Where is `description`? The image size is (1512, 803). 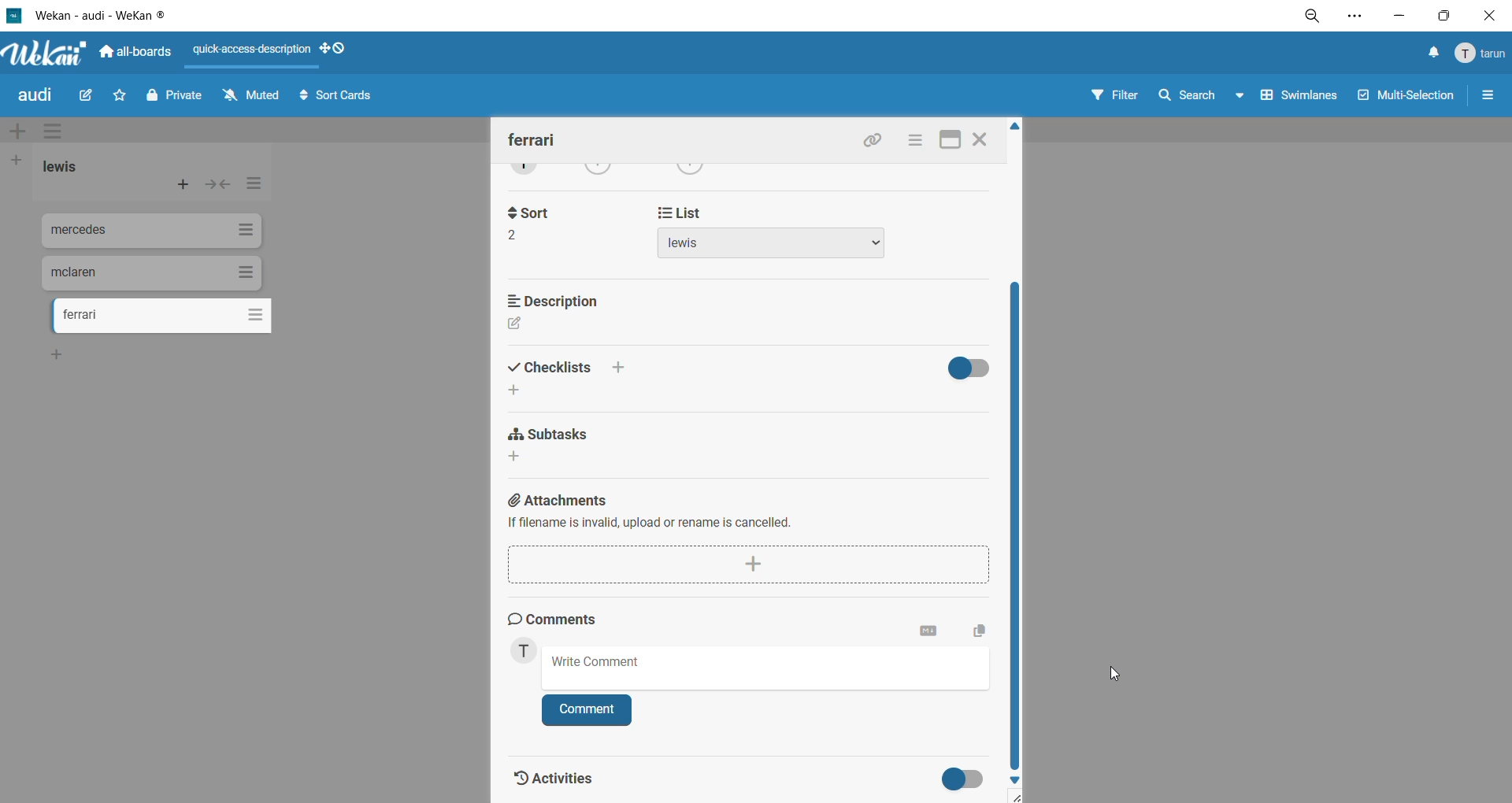
description is located at coordinates (562, 298).